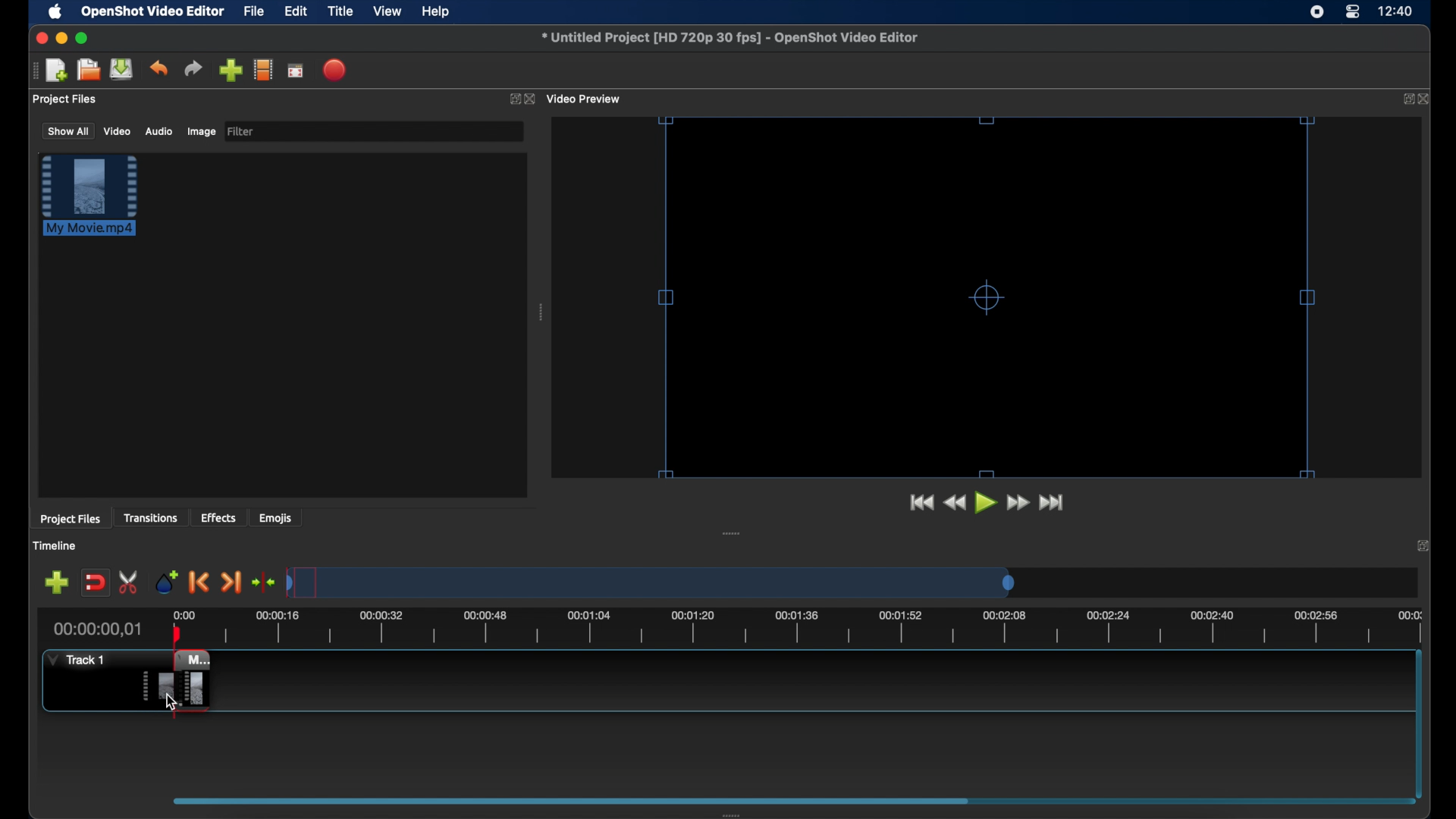 The width and height of the screenshot is (1456, 819). I want to click on import files, so click(231, 71).